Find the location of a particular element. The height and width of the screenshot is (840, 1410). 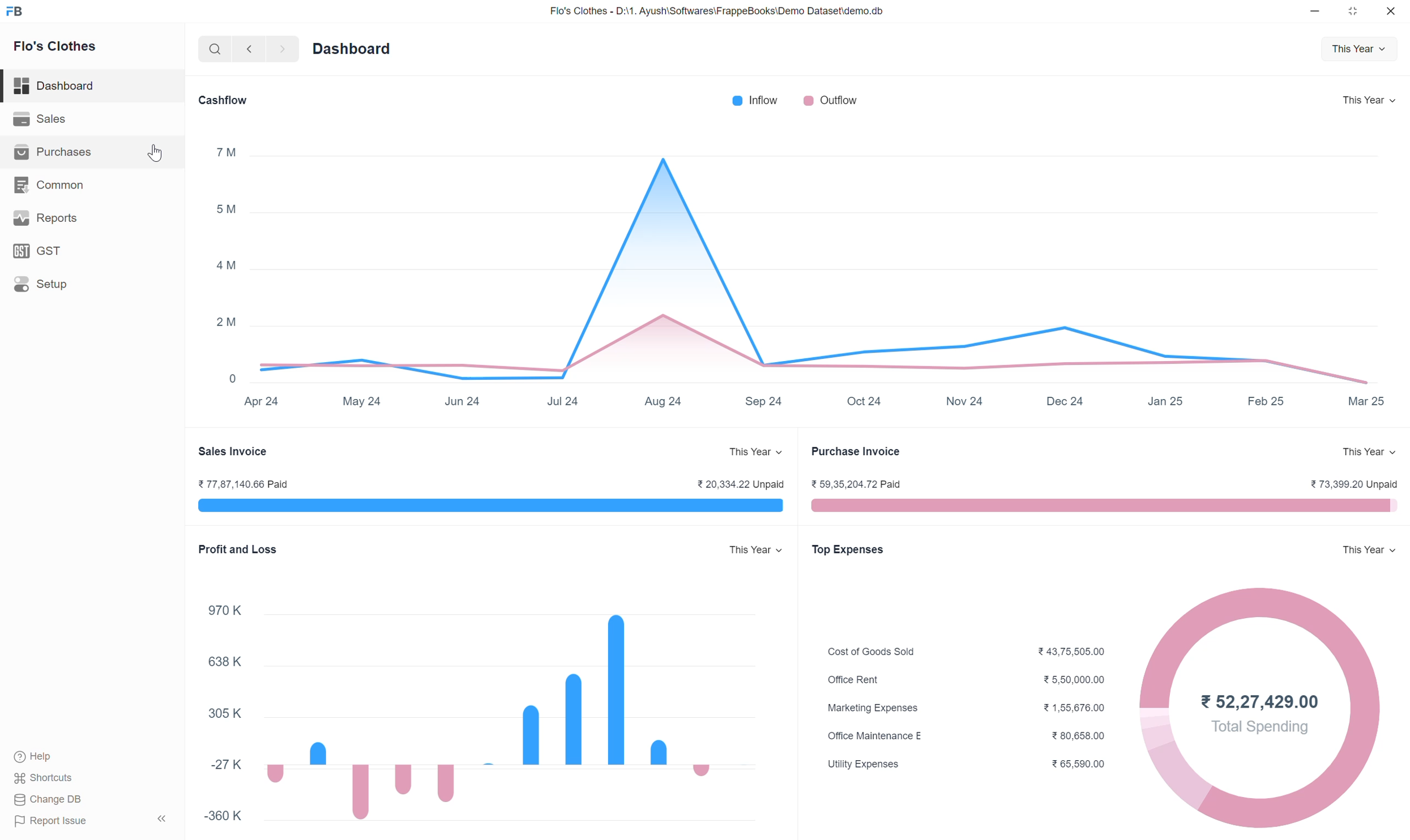

Purchases is located at coordinates (50, 152).